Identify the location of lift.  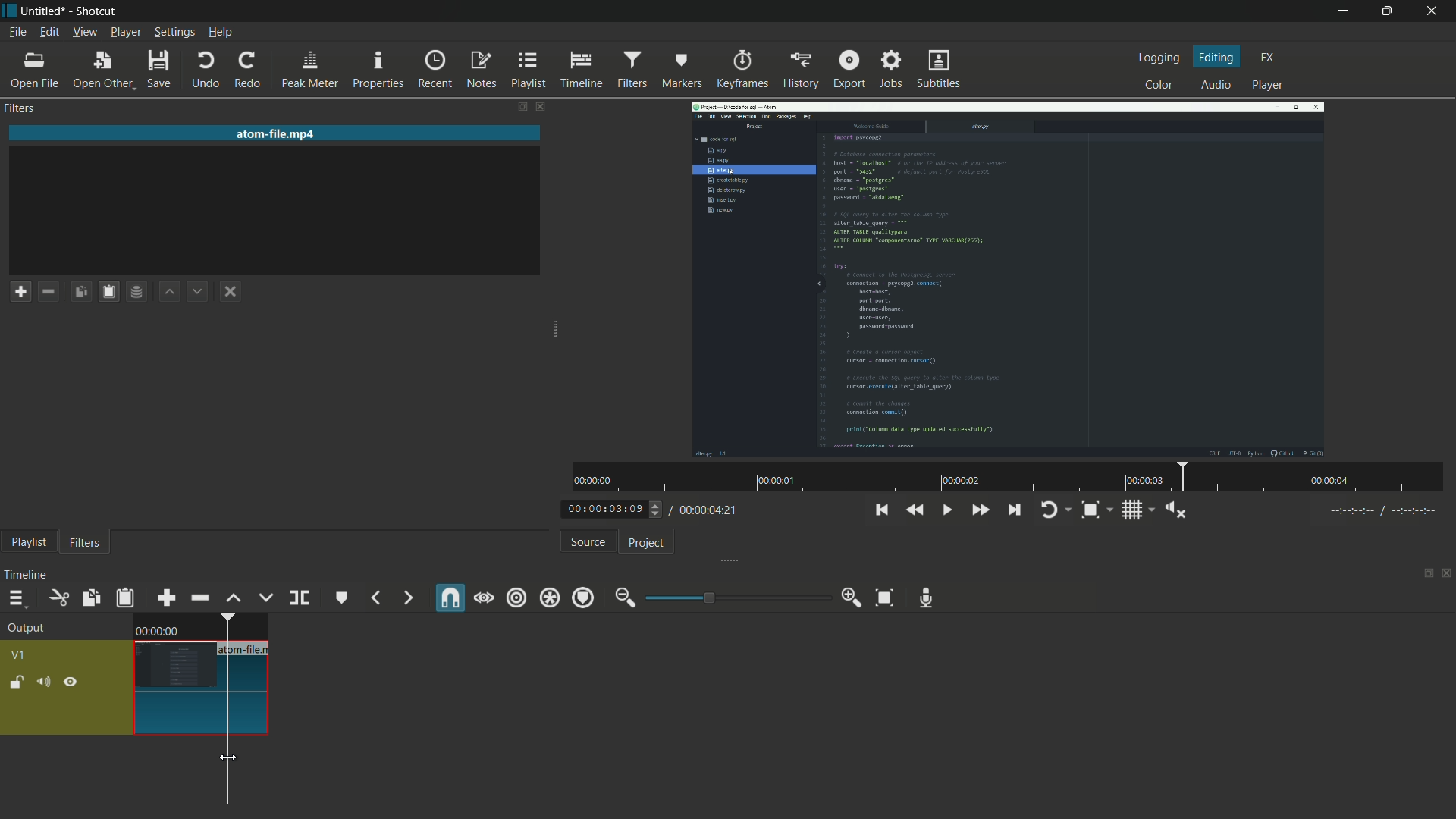
(234, 598).